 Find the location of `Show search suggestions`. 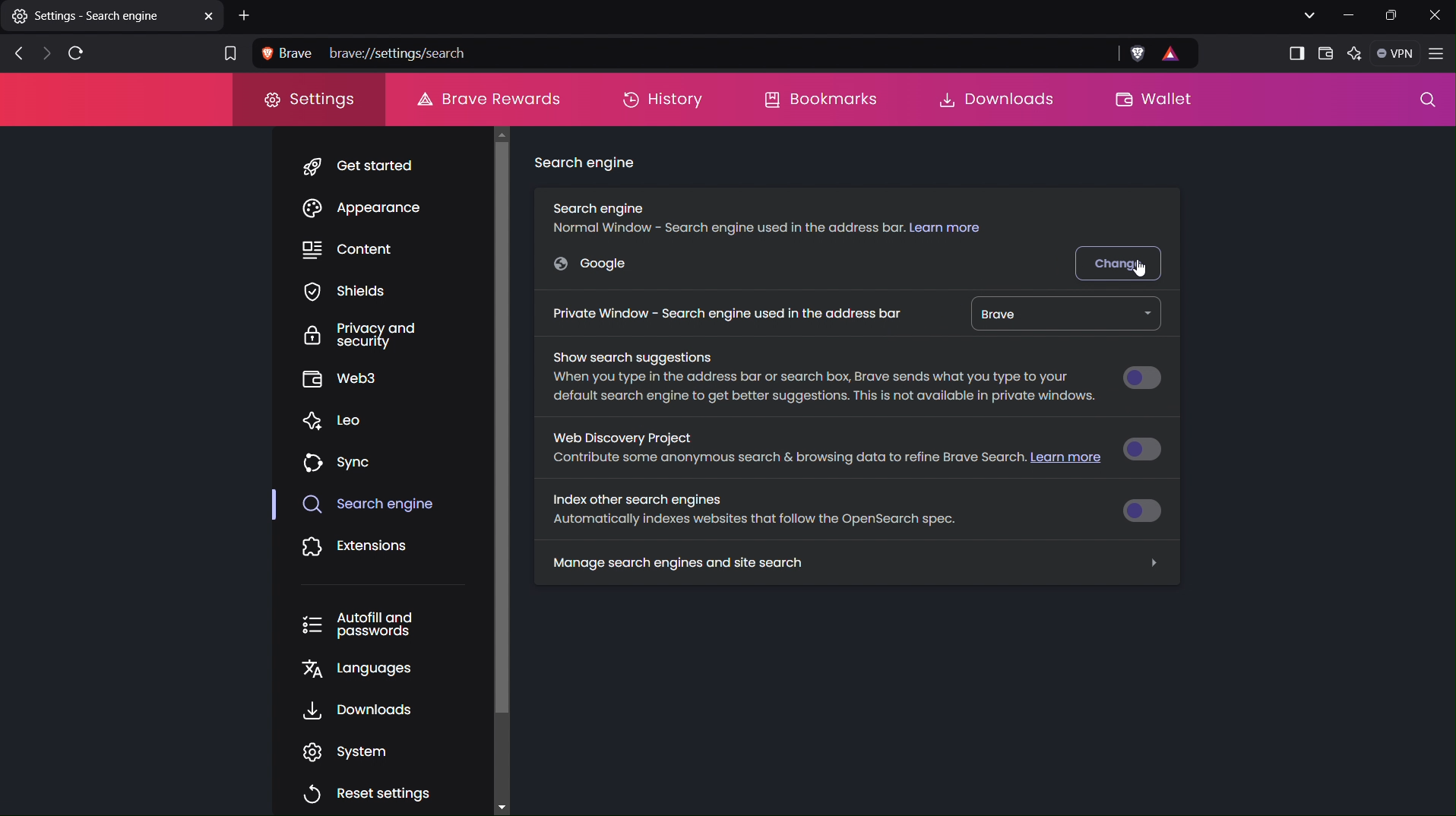

Show search suggestions is located at coordinates (818, 378).